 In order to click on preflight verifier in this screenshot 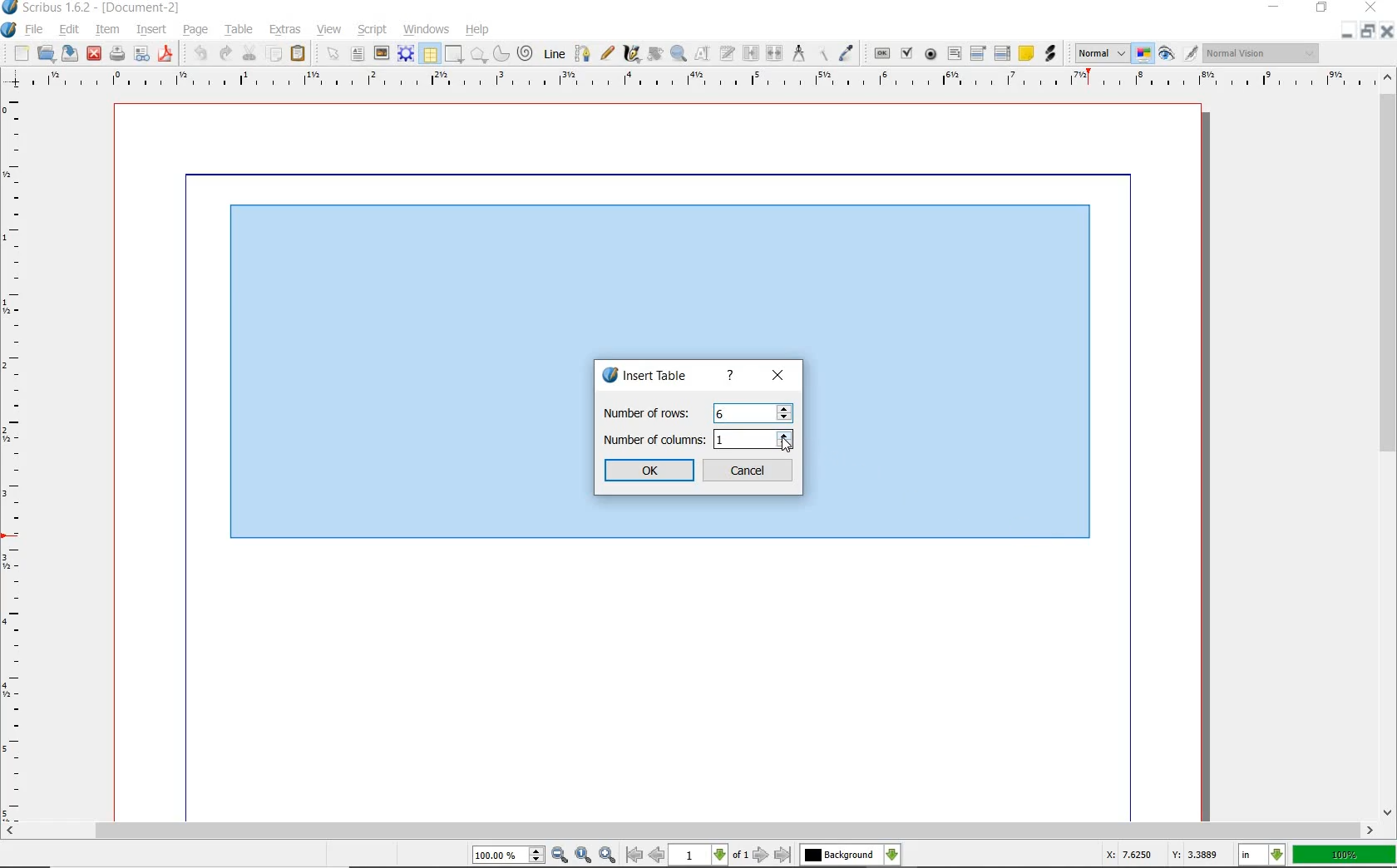, I will do `click(143, 55)`.